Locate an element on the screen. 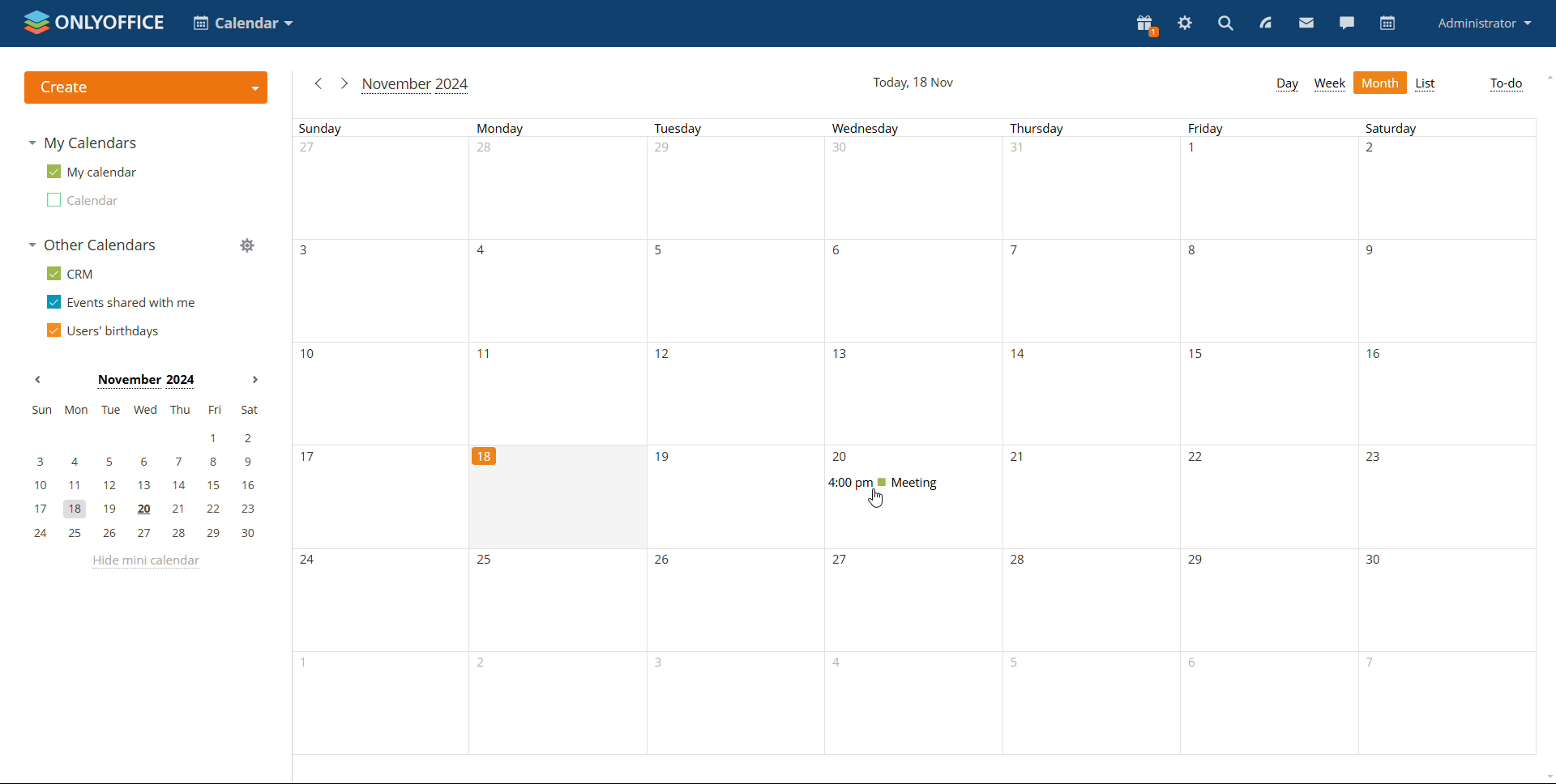 The height and width of the screenshot is (784, 1556). my calendar is located at coordinates (91, 170).